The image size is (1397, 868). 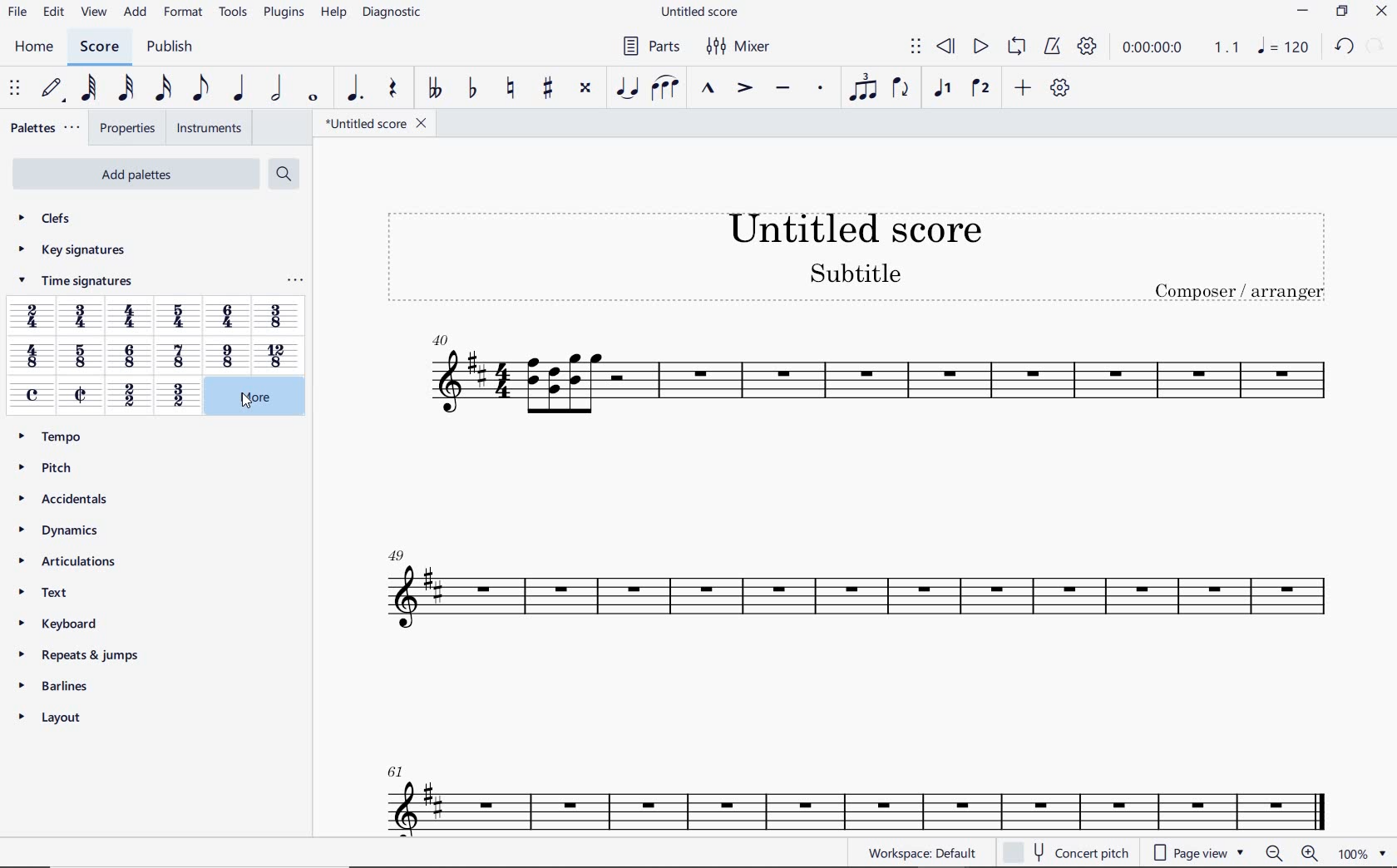 What do you see at coordinates (275, 89) in the screenshot?
I see `HALF NOTE` at bounding box center [275, 89].